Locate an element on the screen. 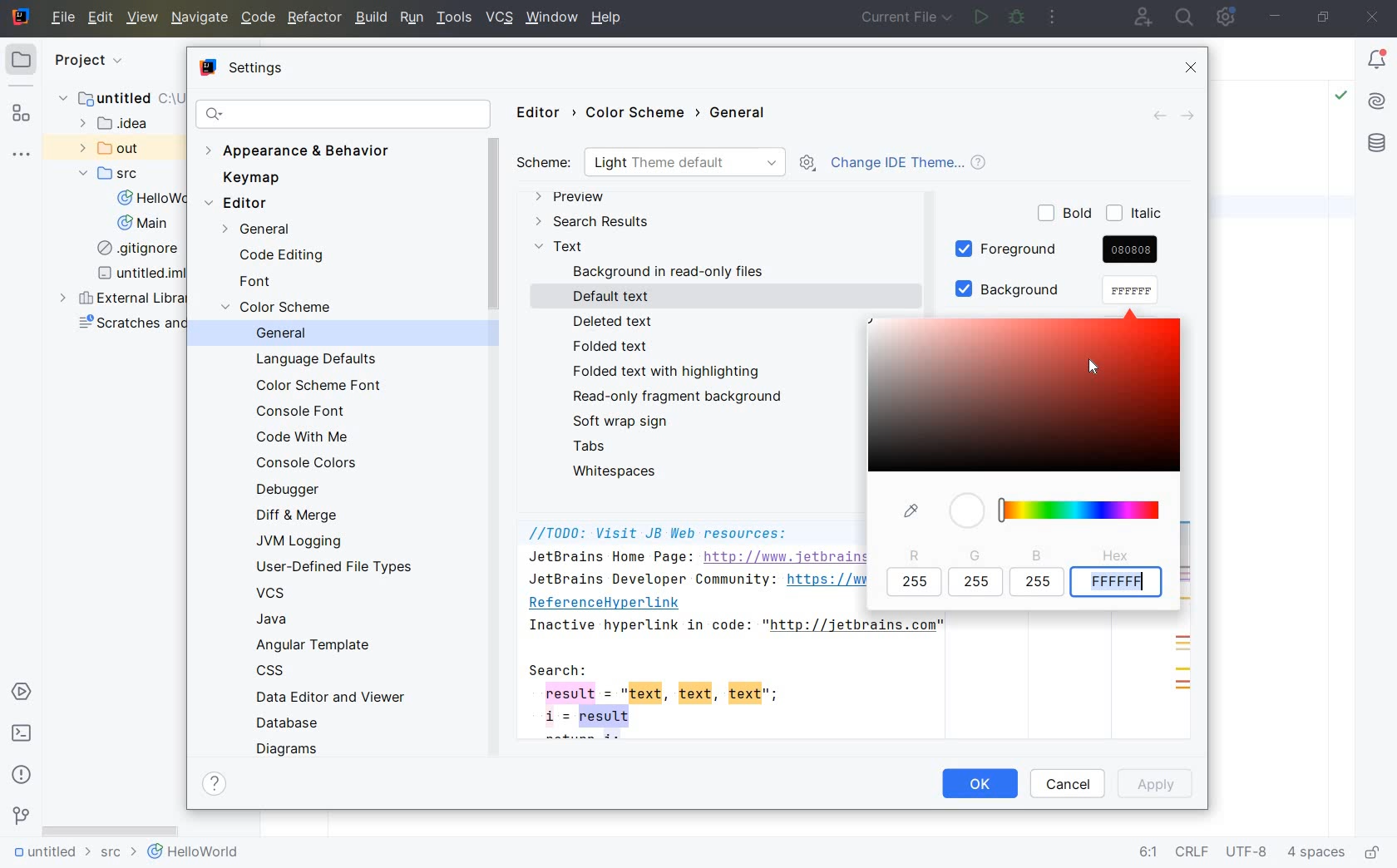 This screenshot has height=868, width=1397. Highlight: All Problems is located at coordinates (1341, 97).